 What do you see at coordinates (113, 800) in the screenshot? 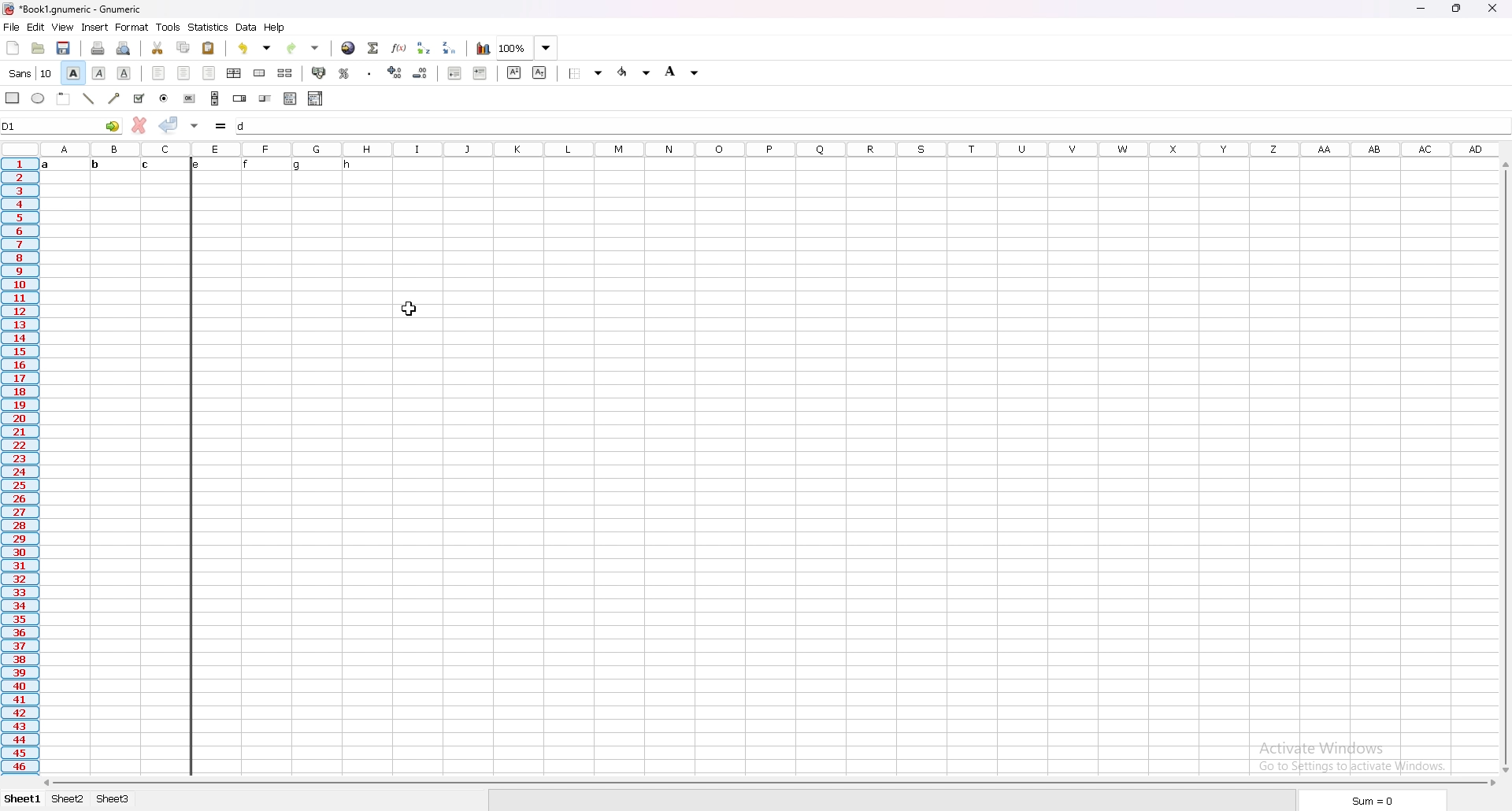
I see `sheet 3` at bounding box center [113, 800].